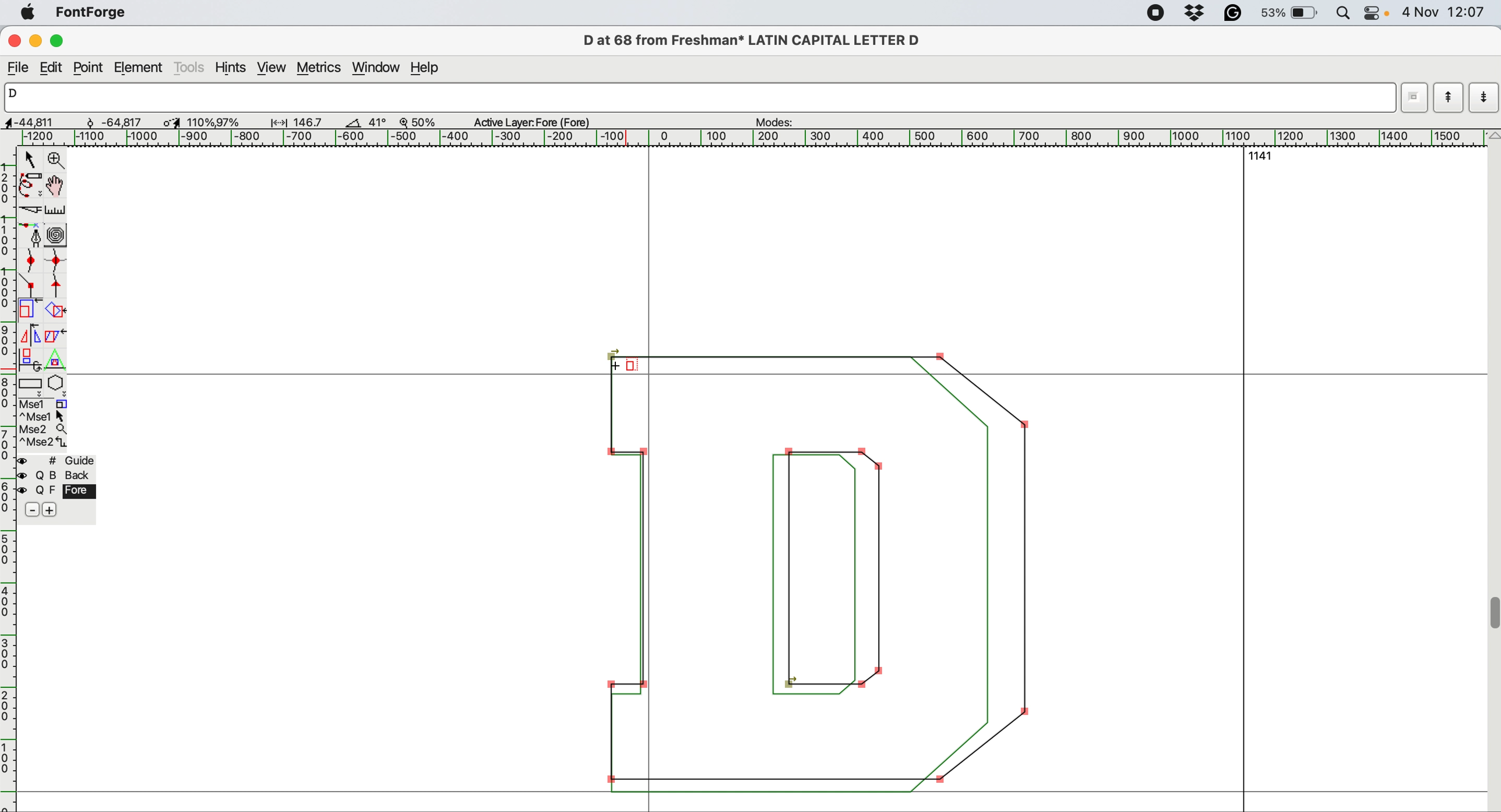  I want to click on spotlight search, so click(1343, 13).